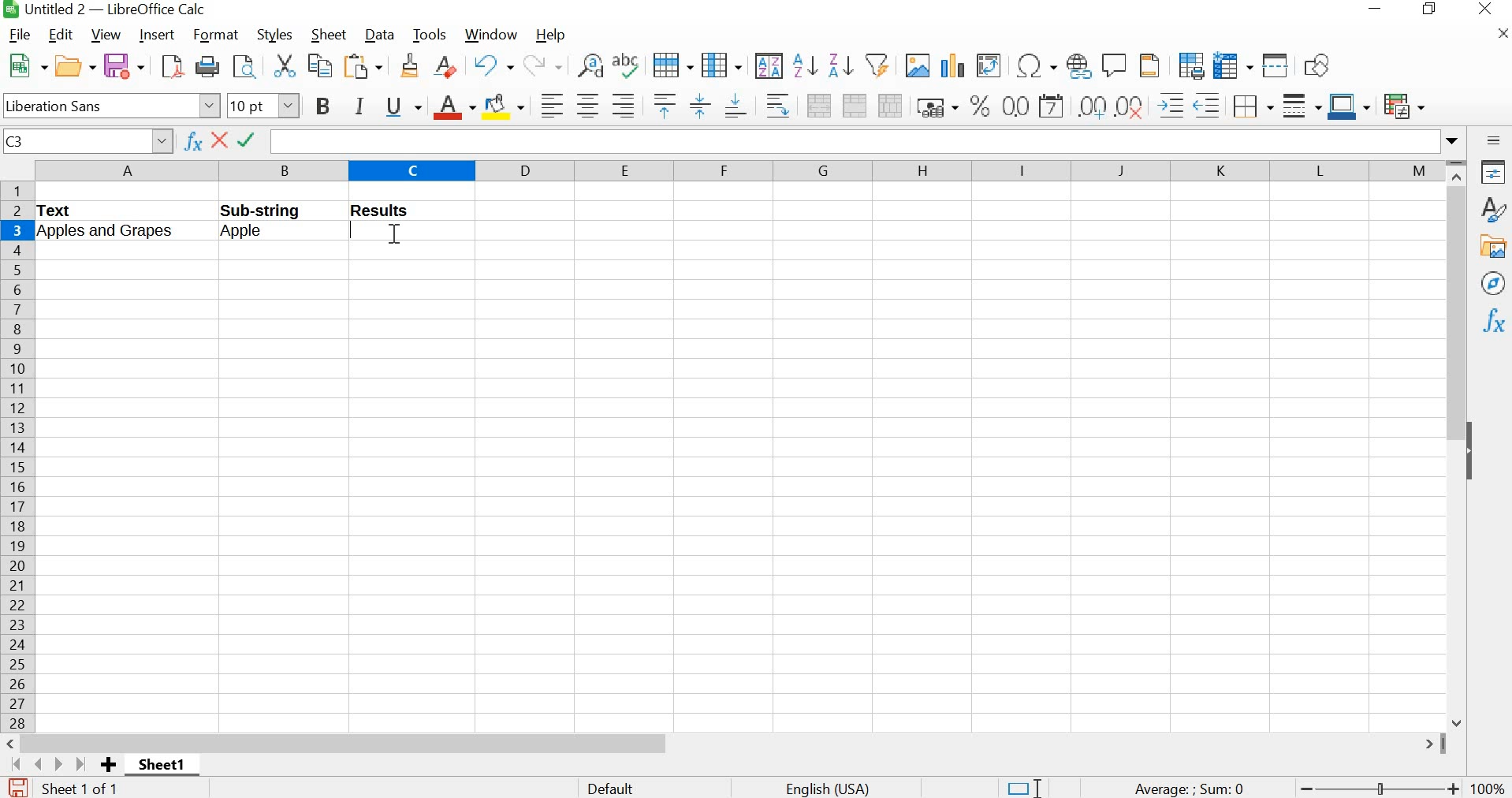  Describe the element at coordinates (120, 233) in the screenshot. I see `Apples and grapes` at that location.